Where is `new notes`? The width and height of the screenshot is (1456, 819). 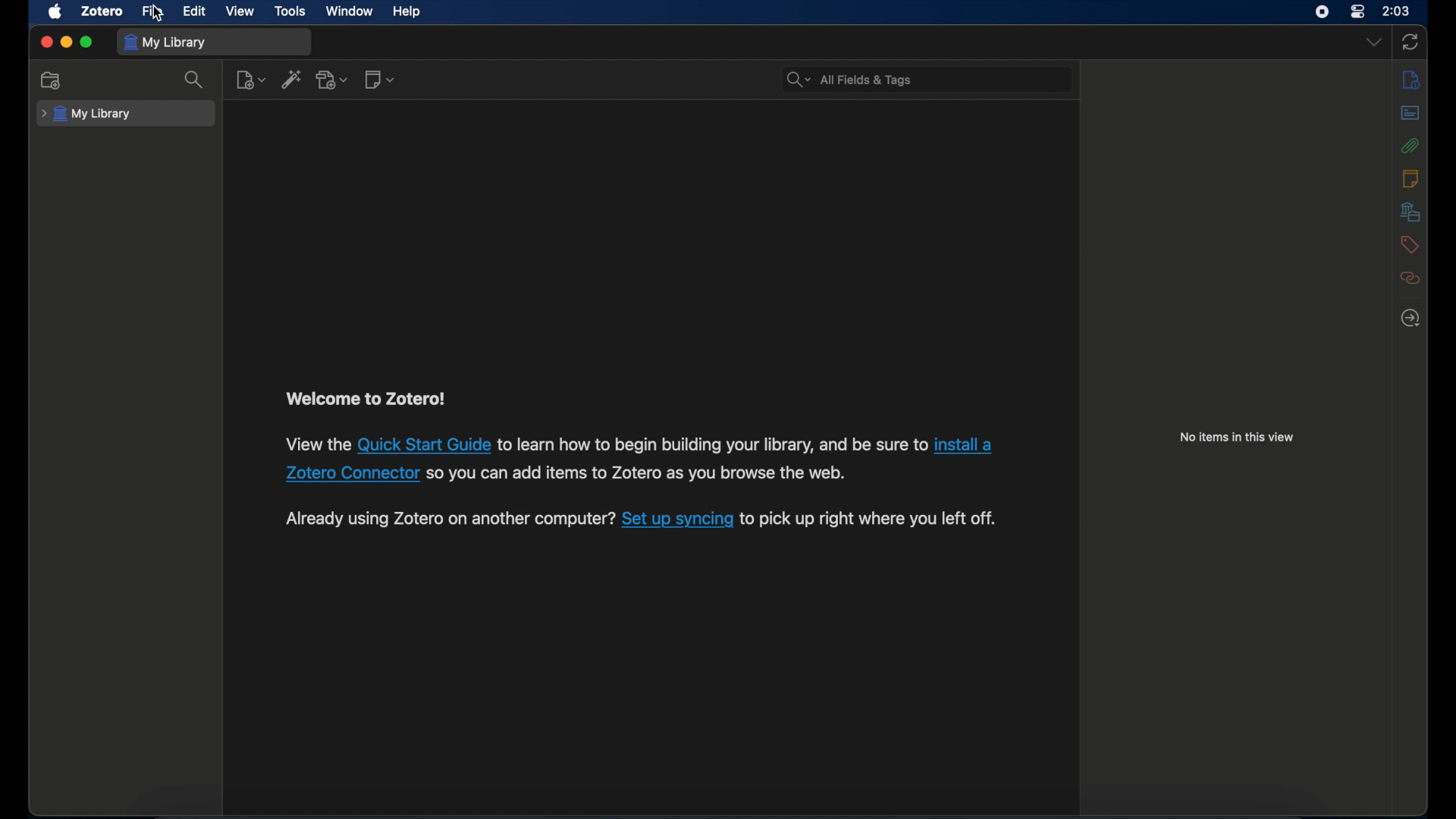 new notes is located at coordinates (381, 80).